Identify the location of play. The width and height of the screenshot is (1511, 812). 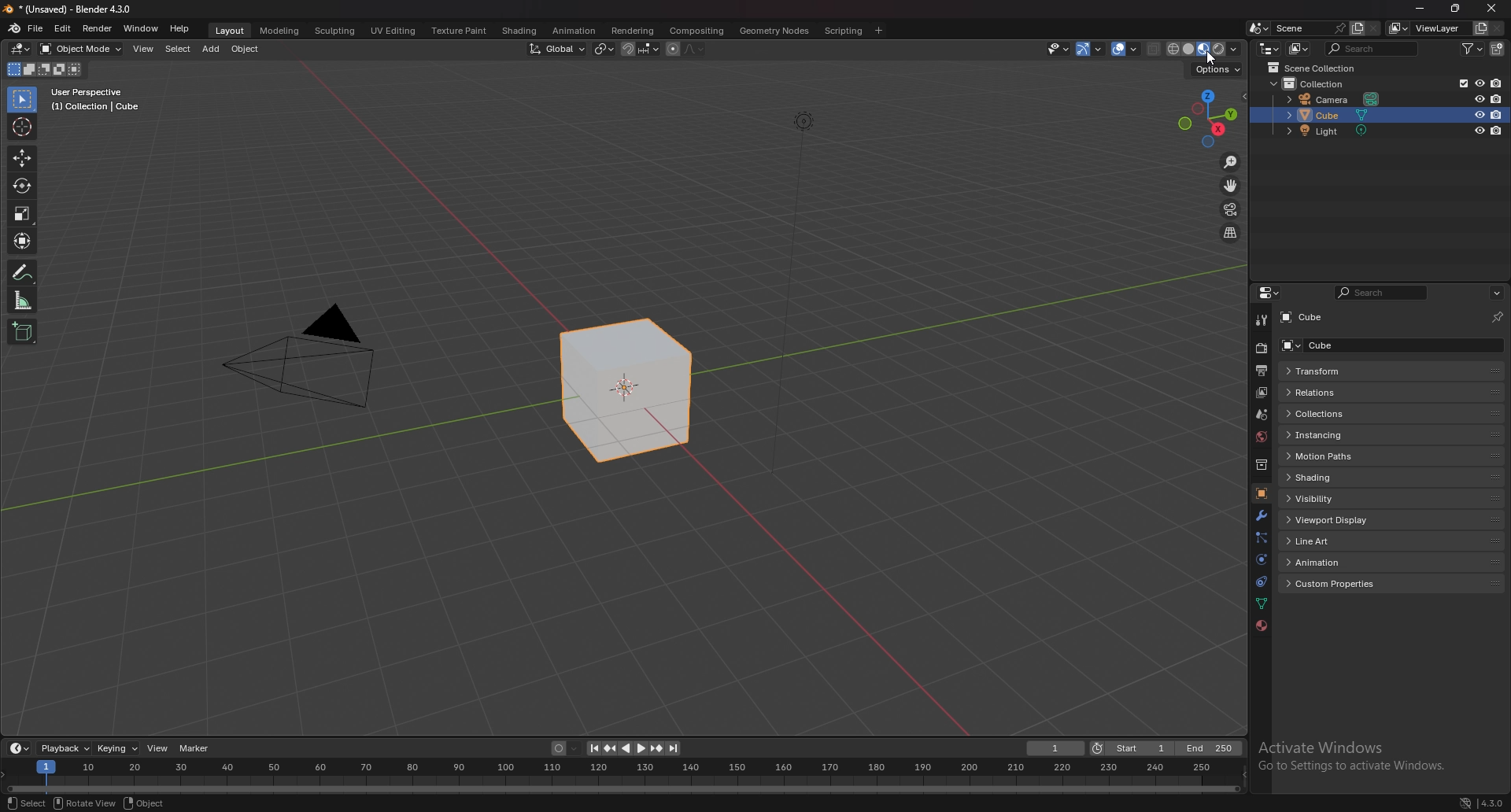
(632, 749).